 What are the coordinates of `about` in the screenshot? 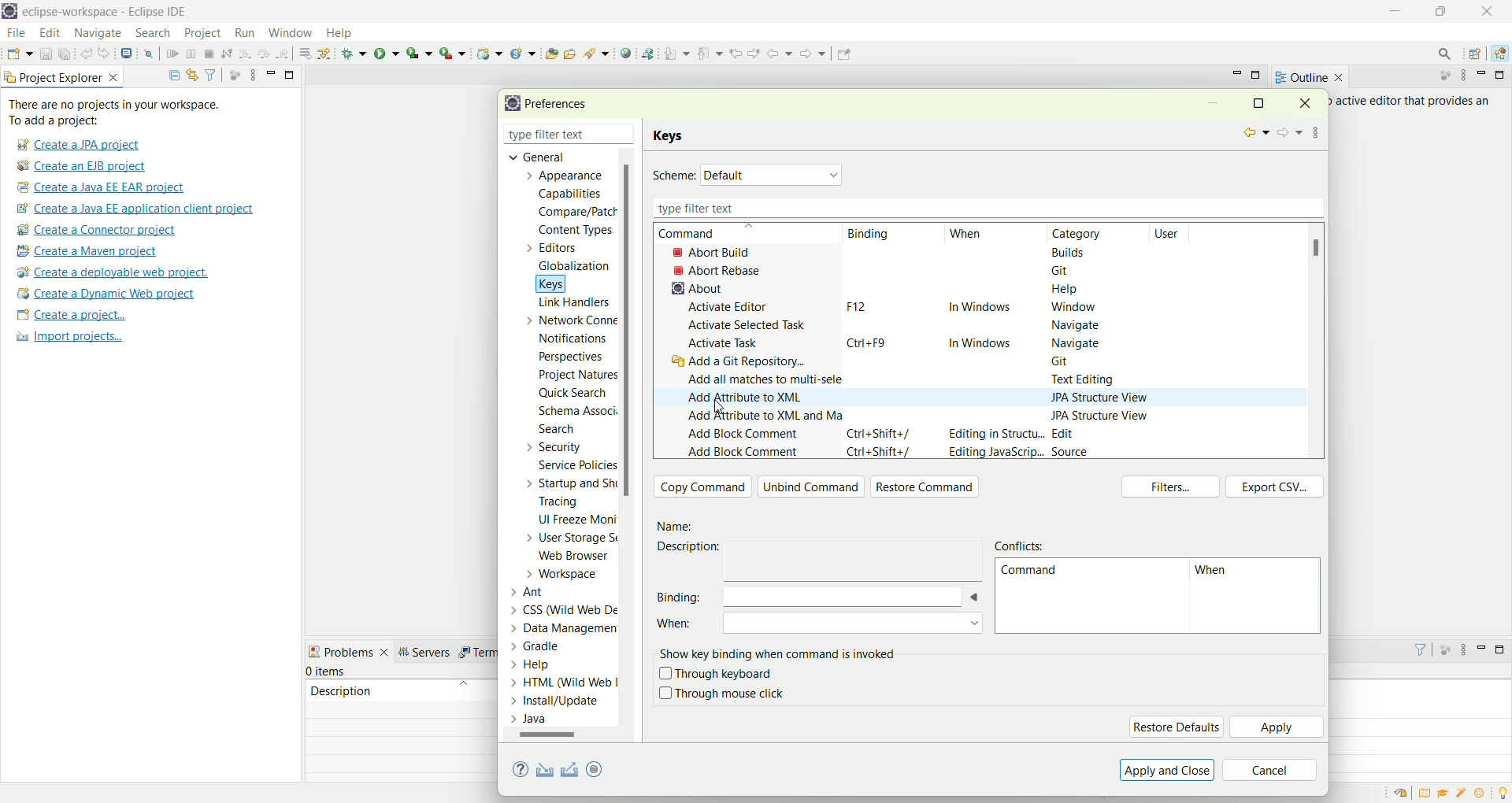 It's located at (693, 288).